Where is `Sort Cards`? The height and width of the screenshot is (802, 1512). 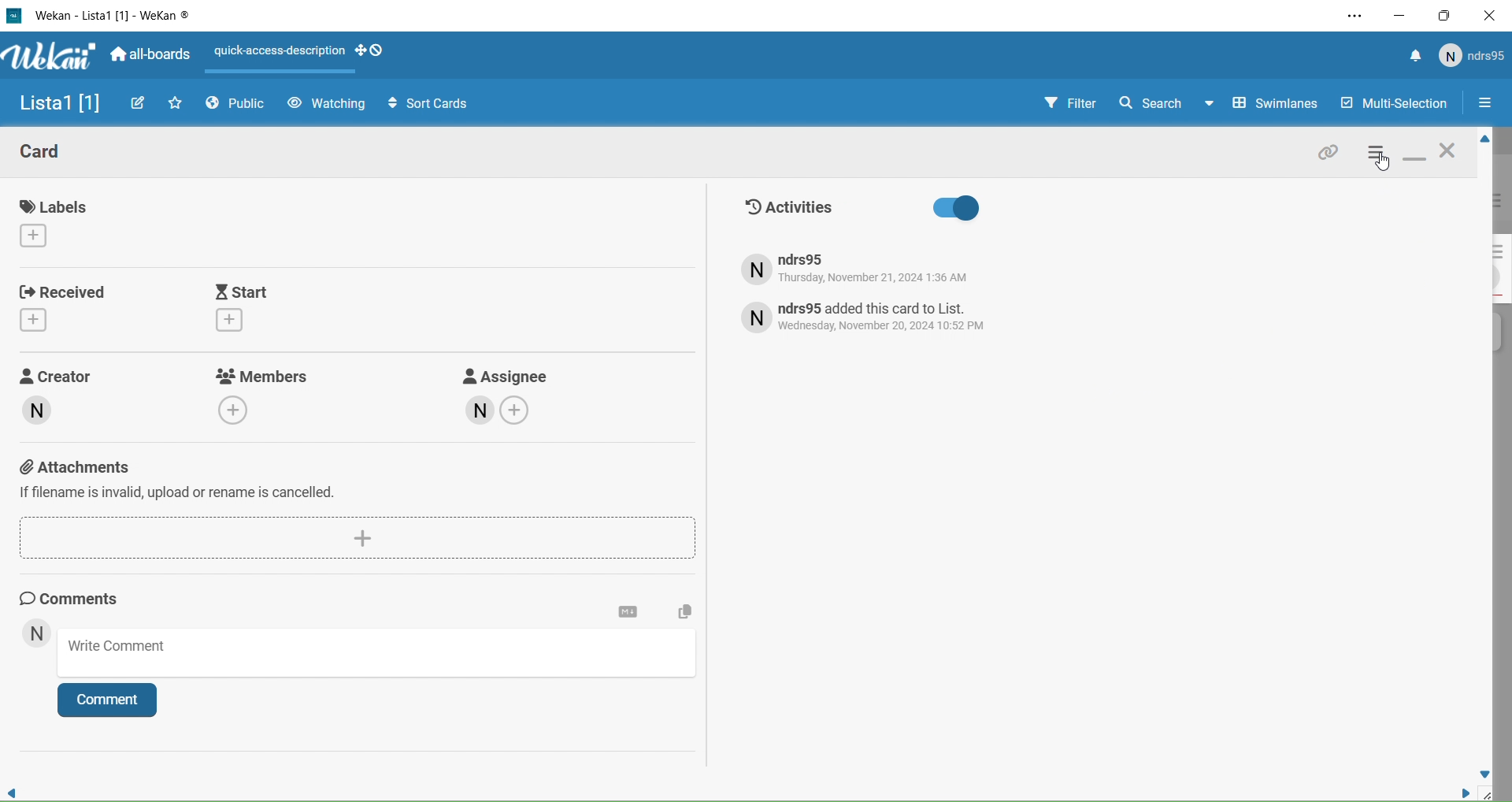 Sort Cards is located at coordinates (435, 102).